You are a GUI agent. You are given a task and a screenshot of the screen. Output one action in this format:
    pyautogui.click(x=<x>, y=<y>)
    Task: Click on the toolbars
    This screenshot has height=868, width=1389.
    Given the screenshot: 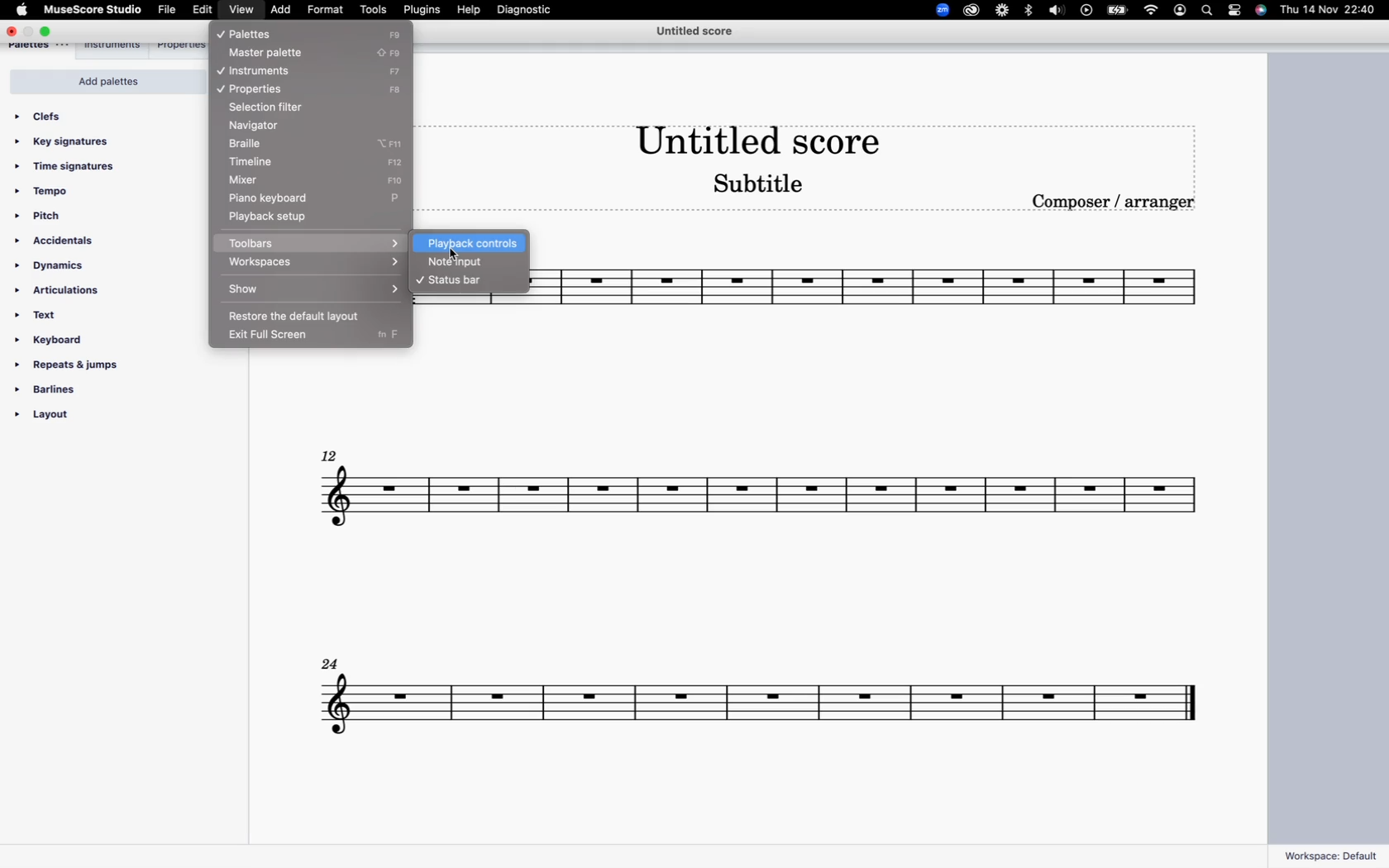 What is the action you would take?
    pyautogui.click(x=317, y=241)
    